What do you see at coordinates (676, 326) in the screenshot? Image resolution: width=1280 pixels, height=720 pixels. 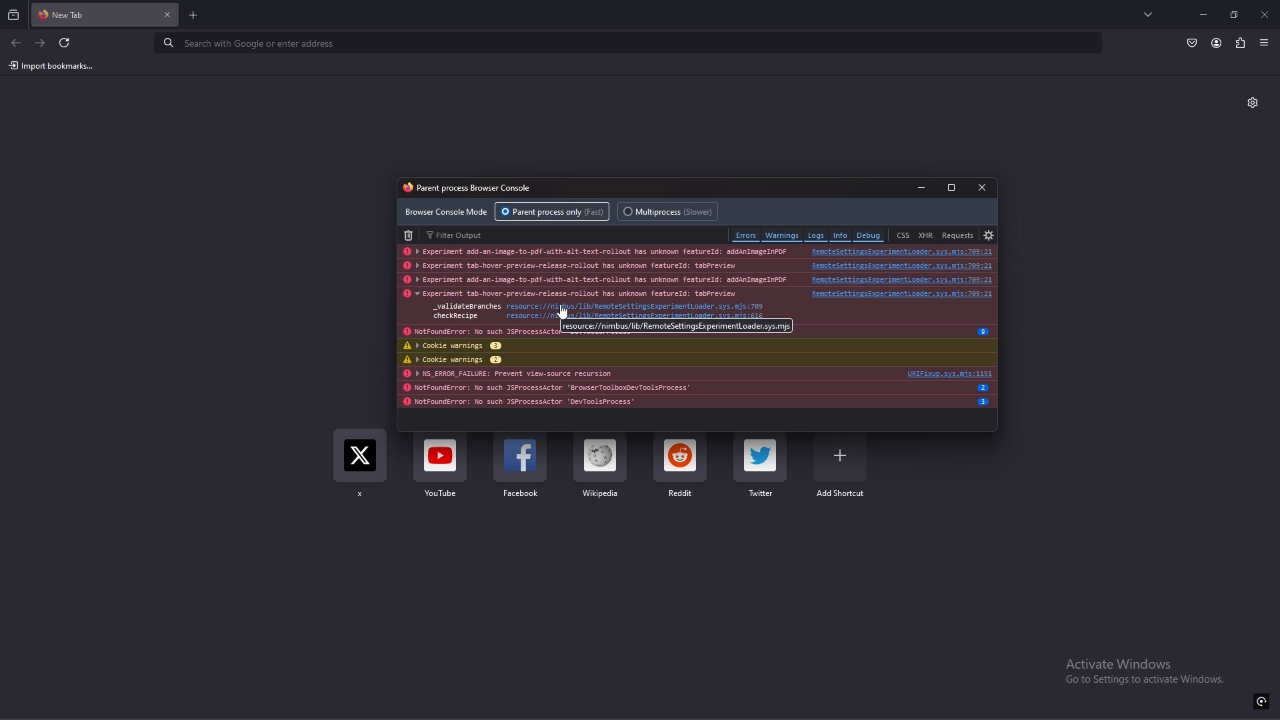 I see `tooltip` at bounding box center [676, 326].